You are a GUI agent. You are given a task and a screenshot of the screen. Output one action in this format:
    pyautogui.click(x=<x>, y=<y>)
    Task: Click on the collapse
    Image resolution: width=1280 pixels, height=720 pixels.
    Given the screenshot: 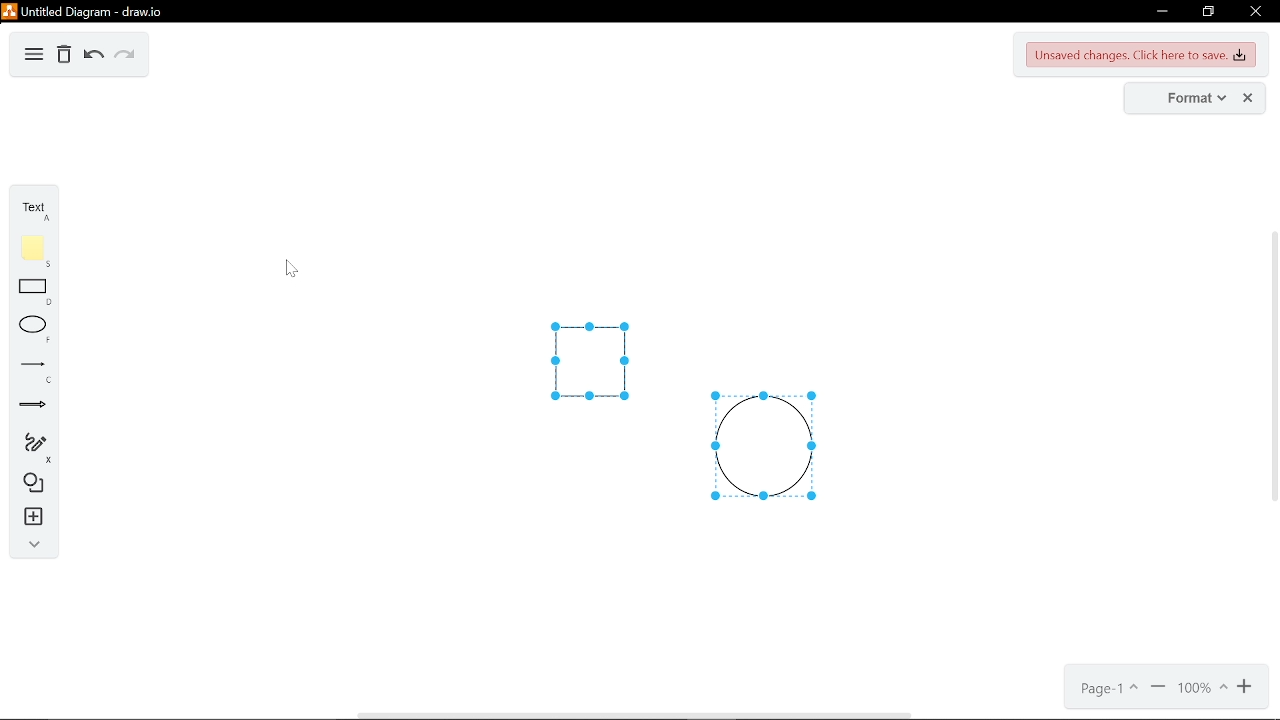 What is the action you would take?
    pyautogui.click(x=31, y=548)
    